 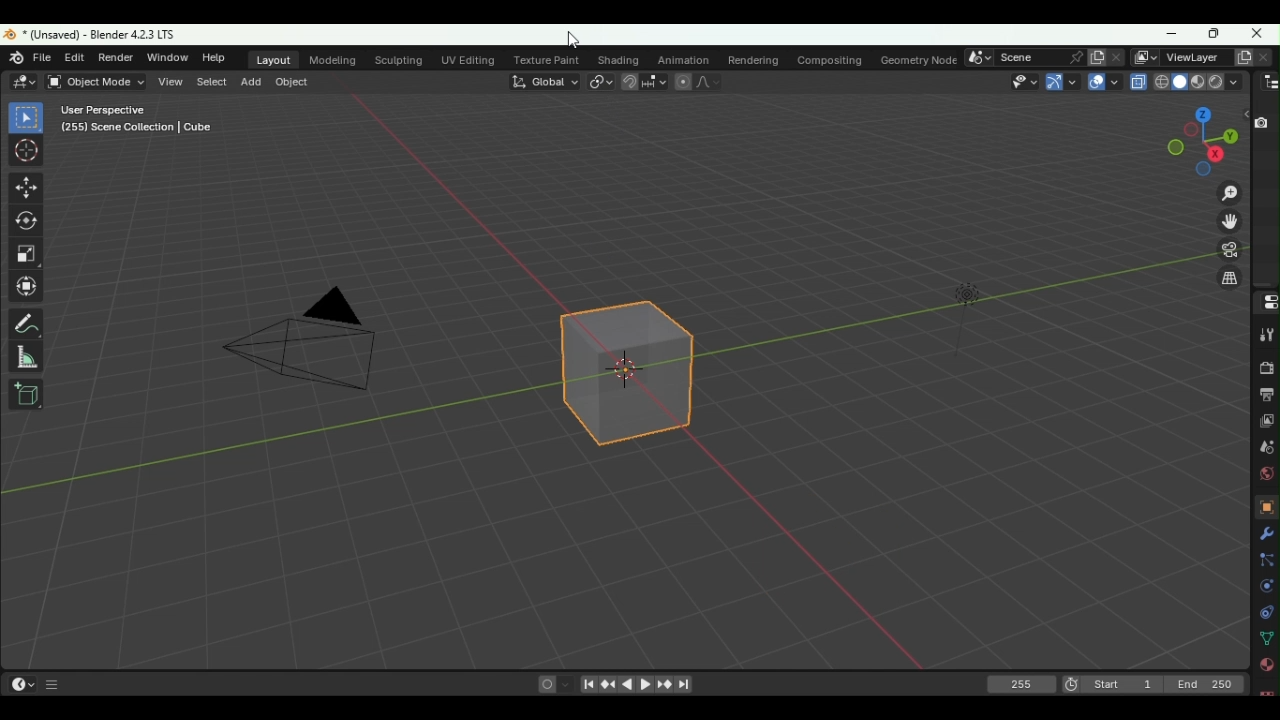 I want to click on Disable in renders, so click(x=1263, y=122).